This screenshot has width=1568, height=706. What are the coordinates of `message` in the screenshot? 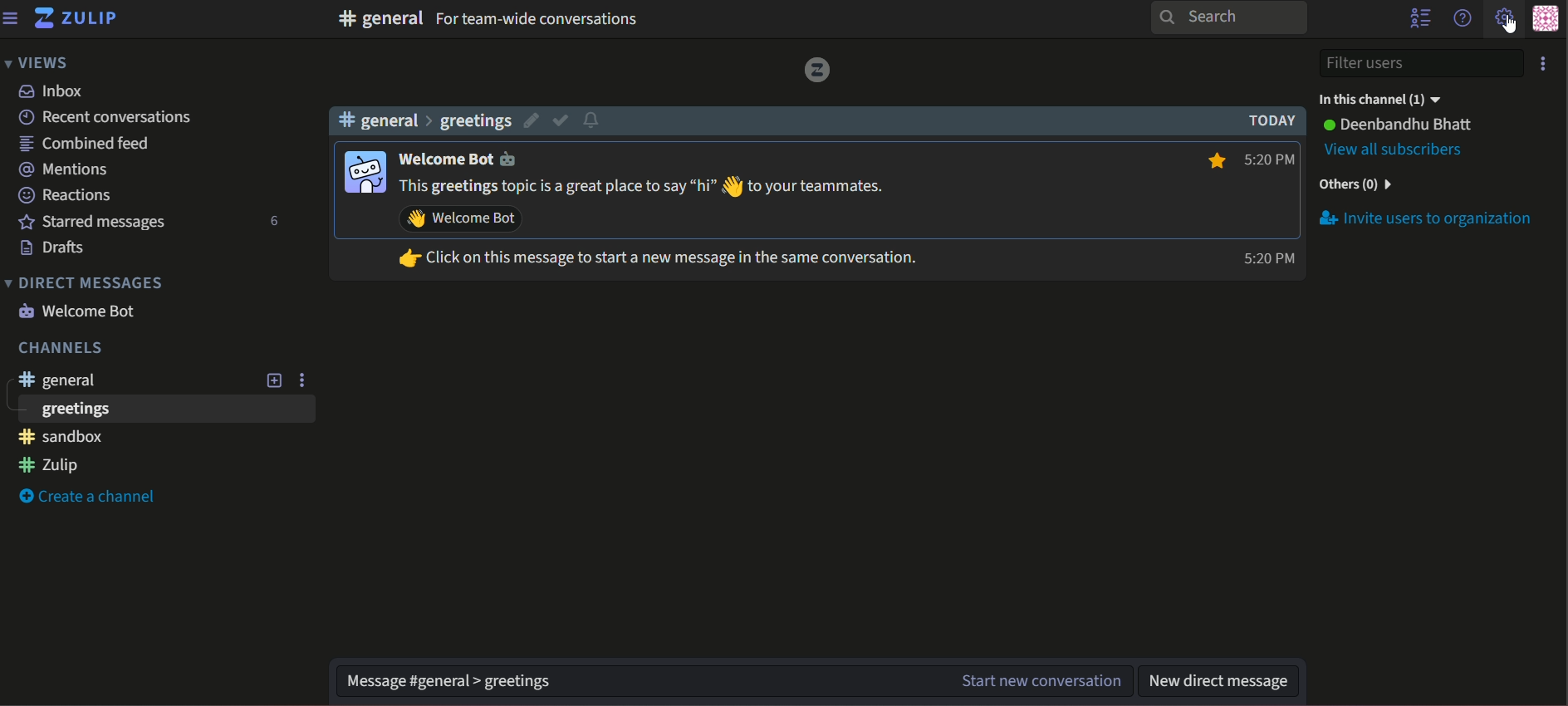 It's located at (674, 225).